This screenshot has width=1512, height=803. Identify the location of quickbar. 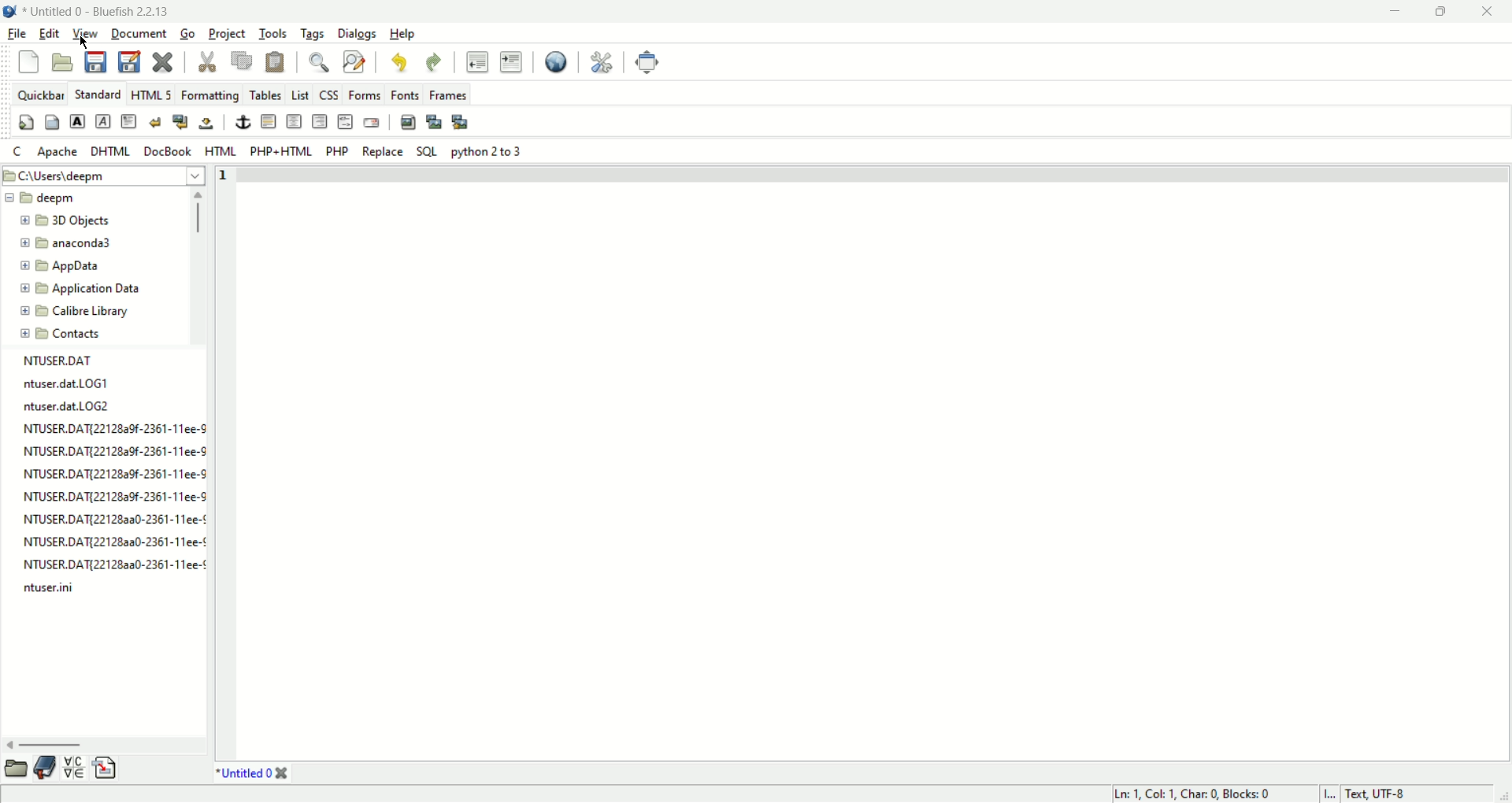
(34, 95).